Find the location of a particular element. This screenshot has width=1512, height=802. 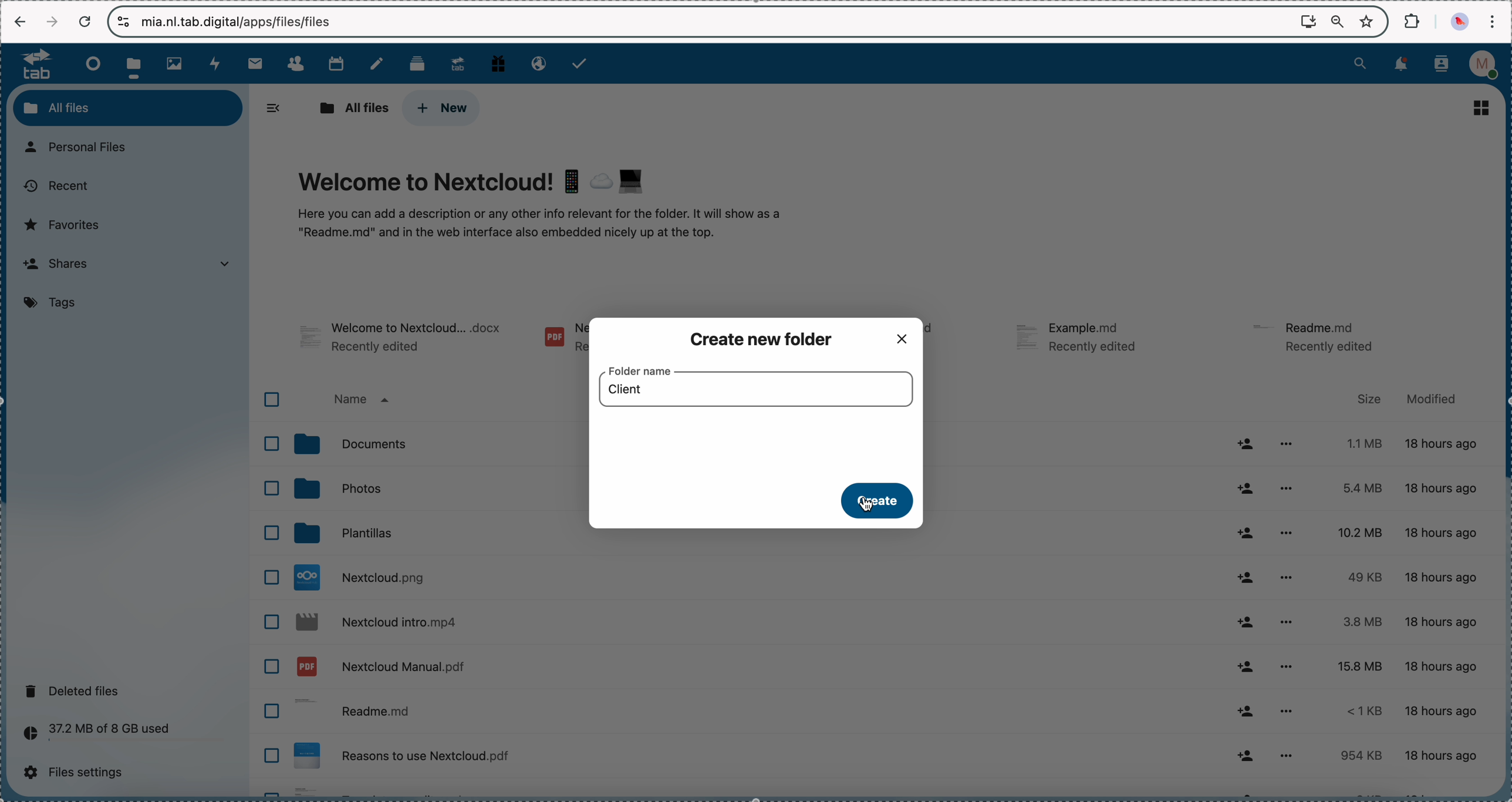

navigate back is located at coordinates (21, 23).